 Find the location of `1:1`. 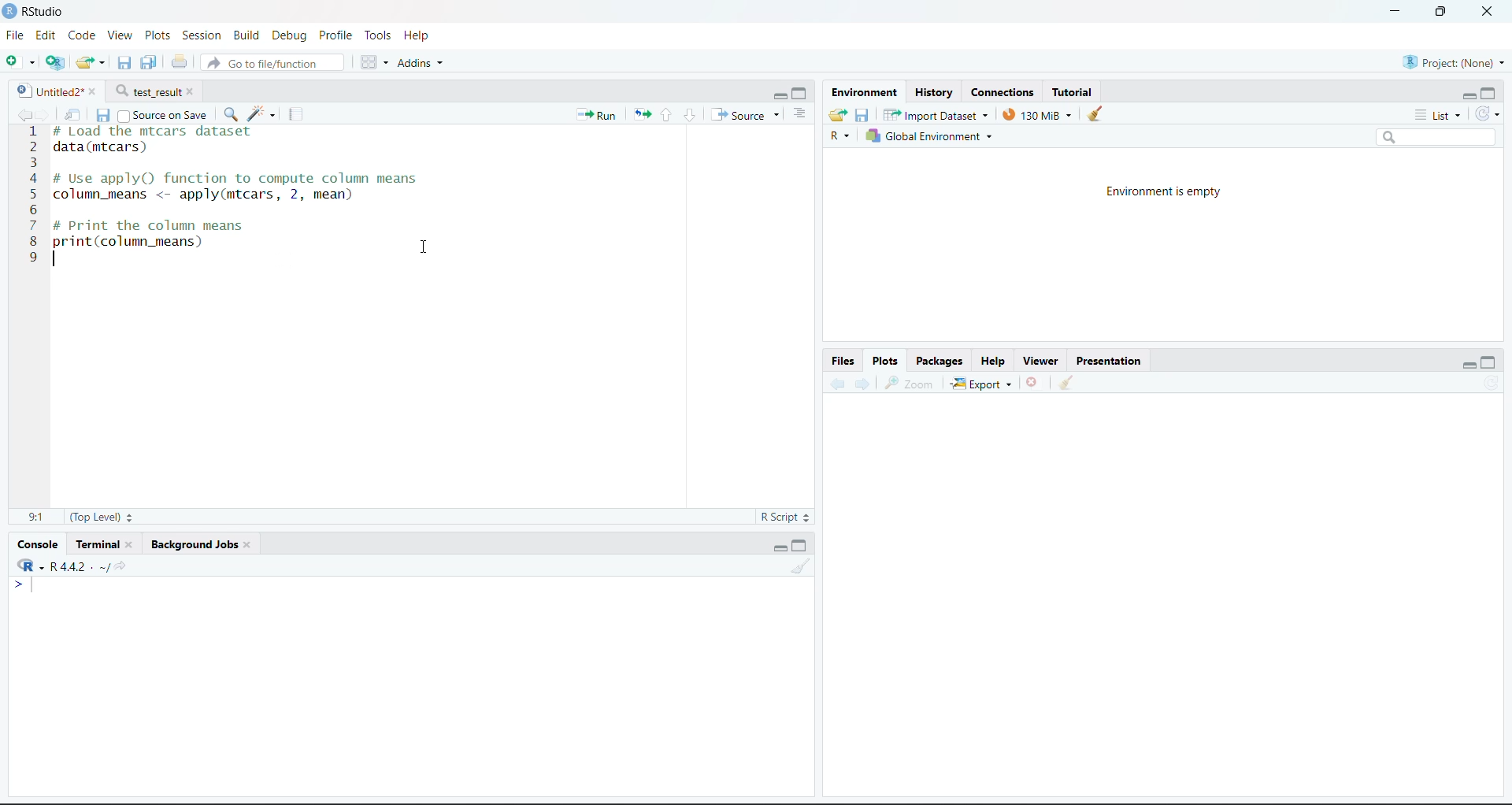

1:1 is located at coordinates (37, 517).